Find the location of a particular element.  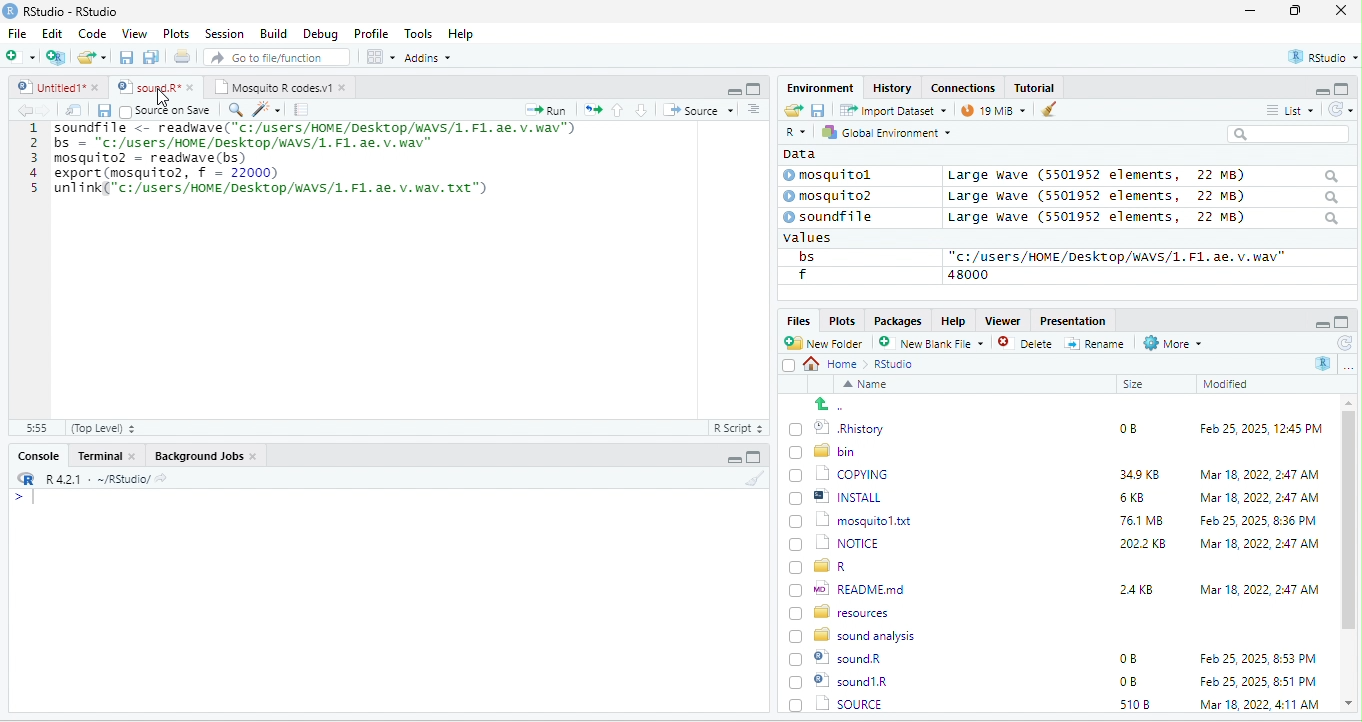

=] Rename is located at coordinates (1096, 343).